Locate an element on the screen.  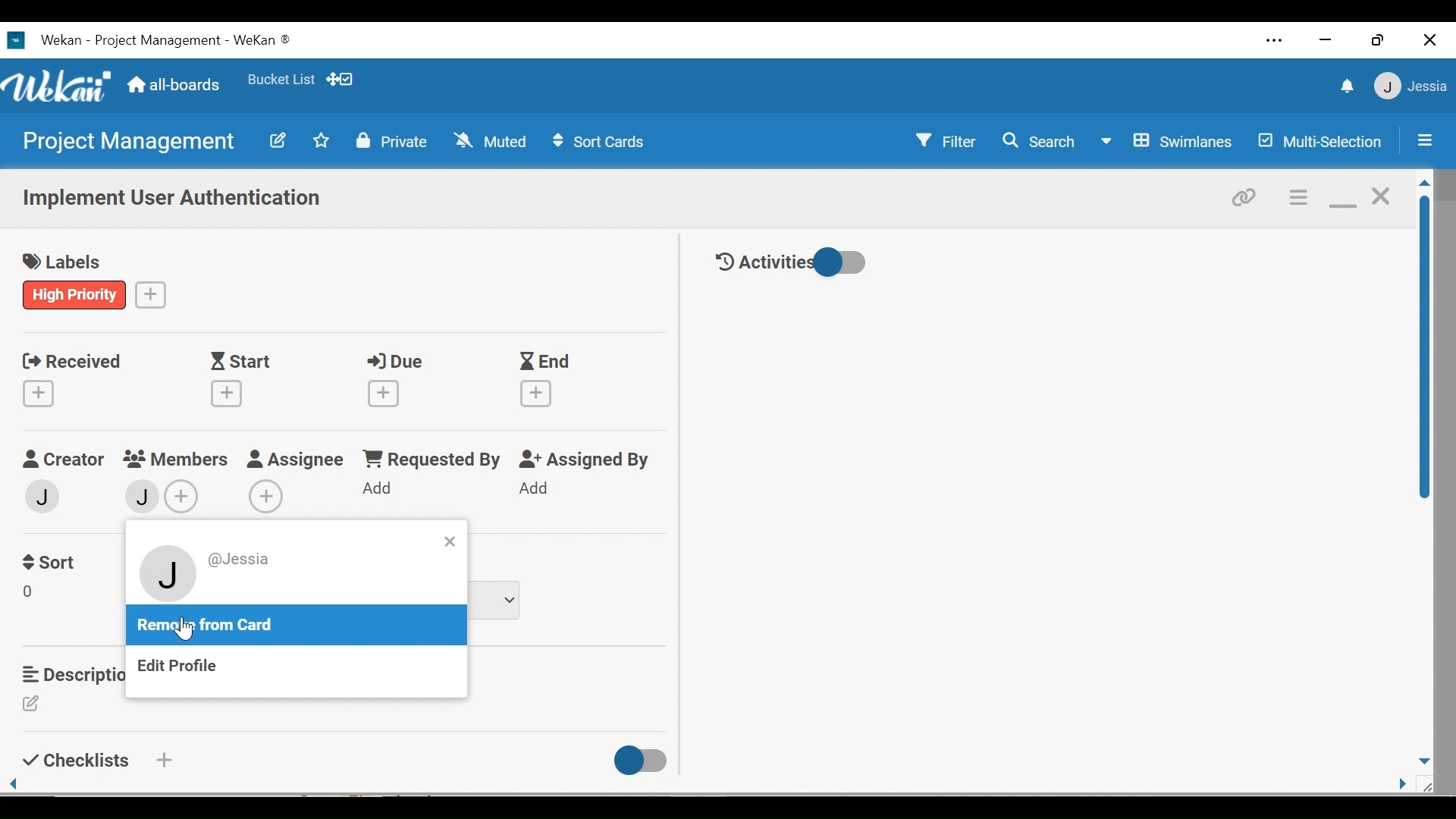
Start is located at coordinates (231, 381).